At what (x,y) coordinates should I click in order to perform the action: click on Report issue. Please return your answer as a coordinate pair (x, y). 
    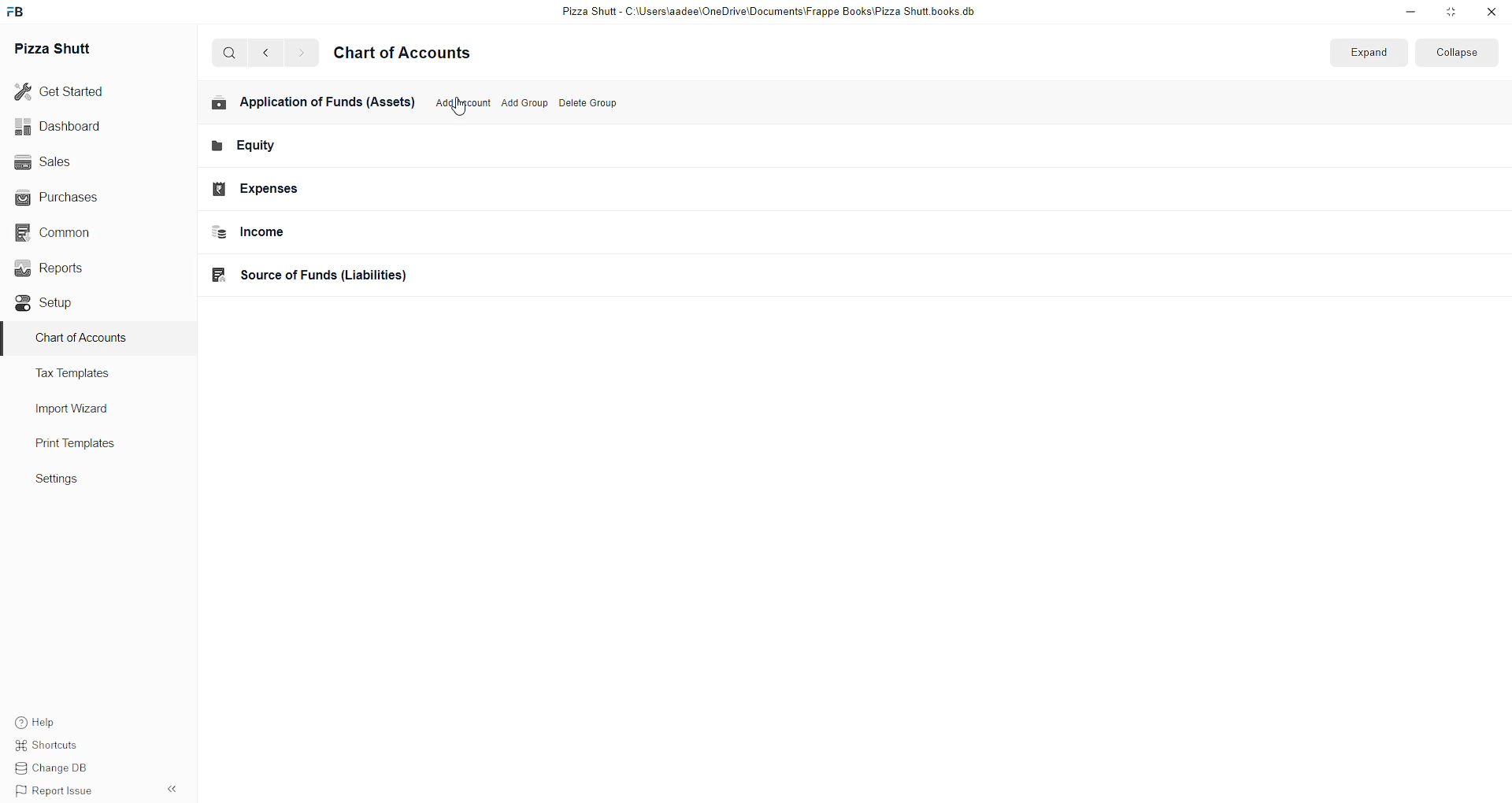
    Looking at the image, I should click on (56, 793).